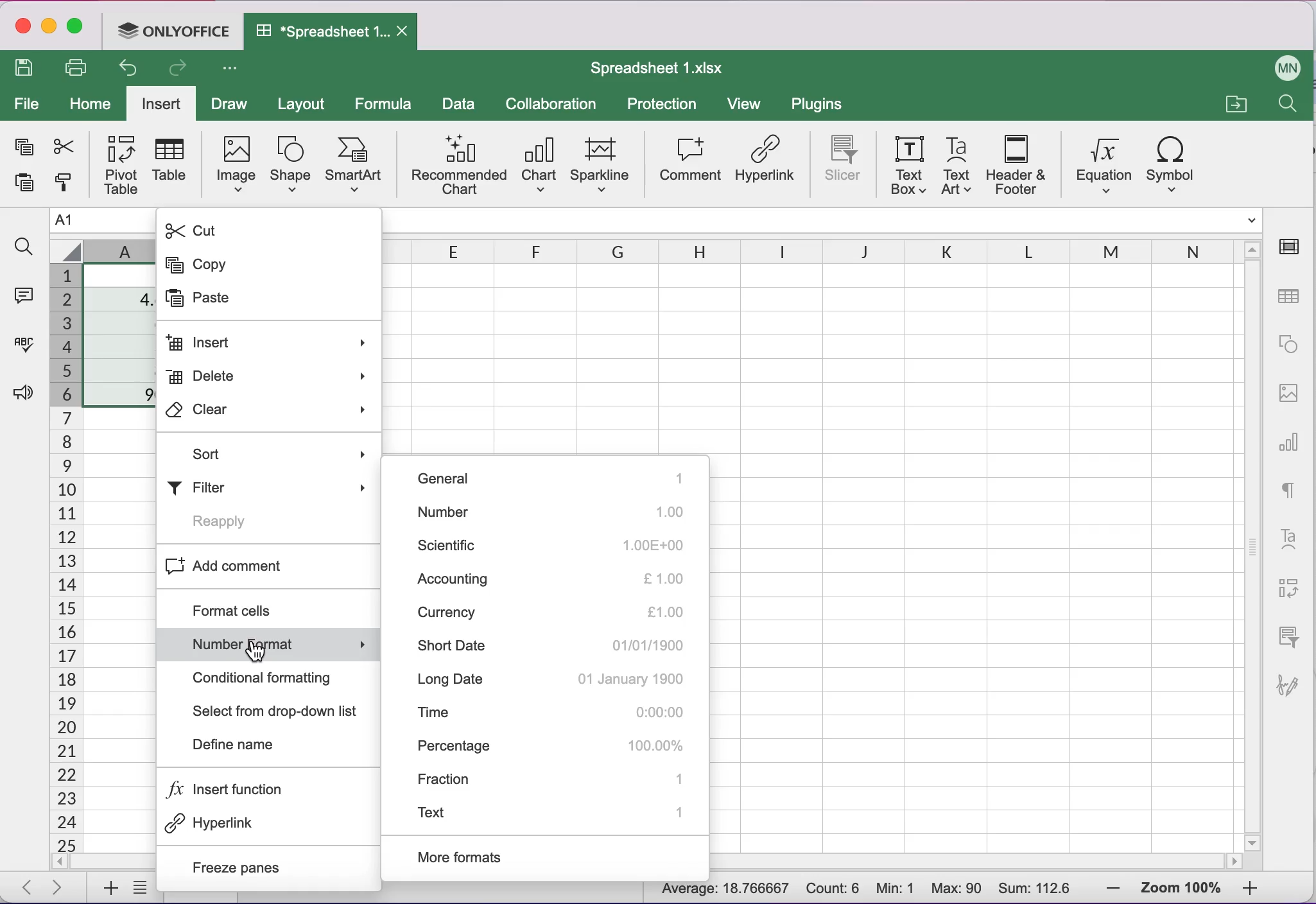 The image size is (1316, 904). What do you see at coordinates (77, 69) in the screenshot?
I see `print` at bounding box center [77, 69].